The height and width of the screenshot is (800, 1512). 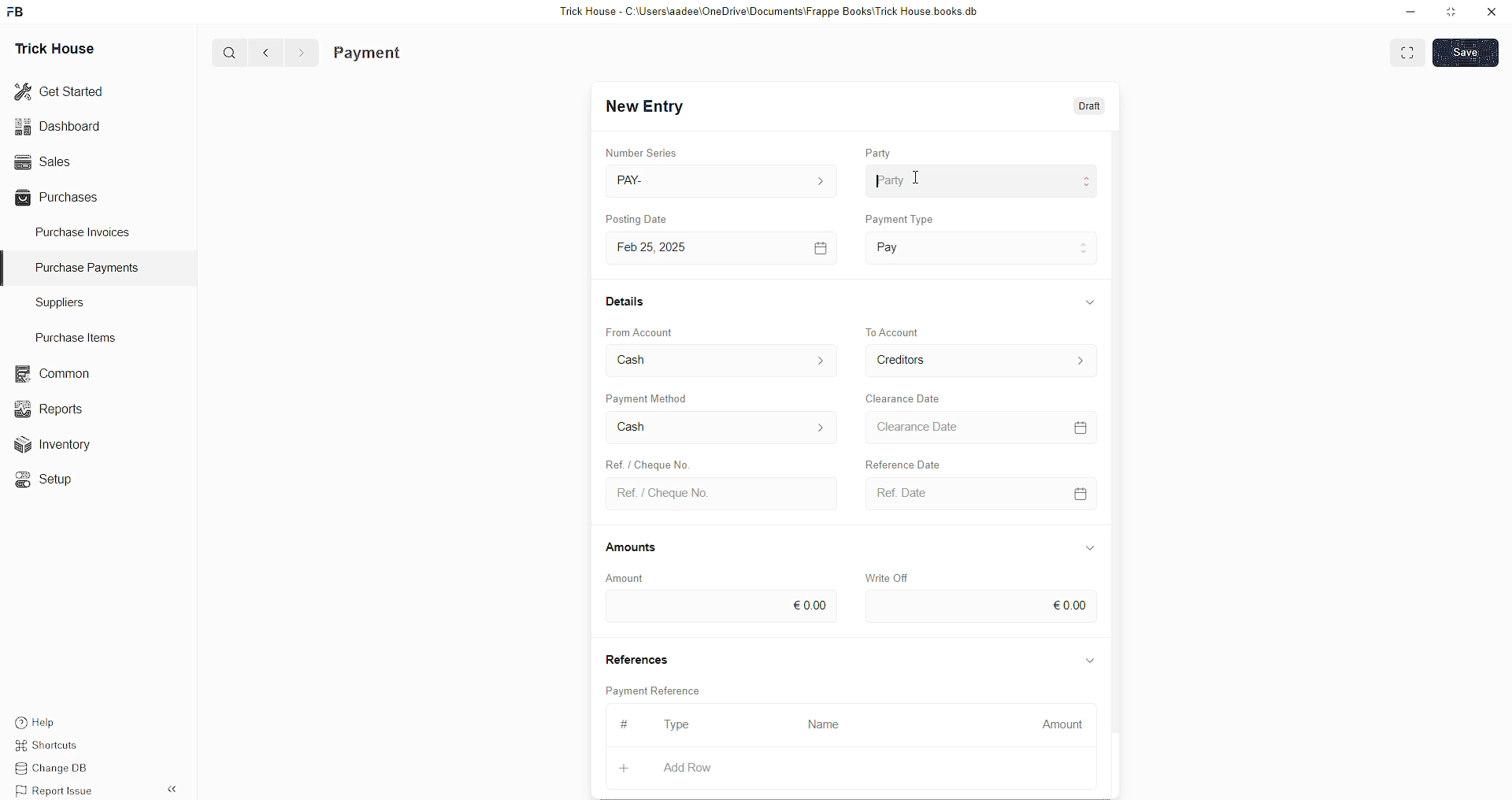 What do you see at coordinates (655, 397) in the screenshot?
I see `Payment Method` at bounding box center [655, 397].